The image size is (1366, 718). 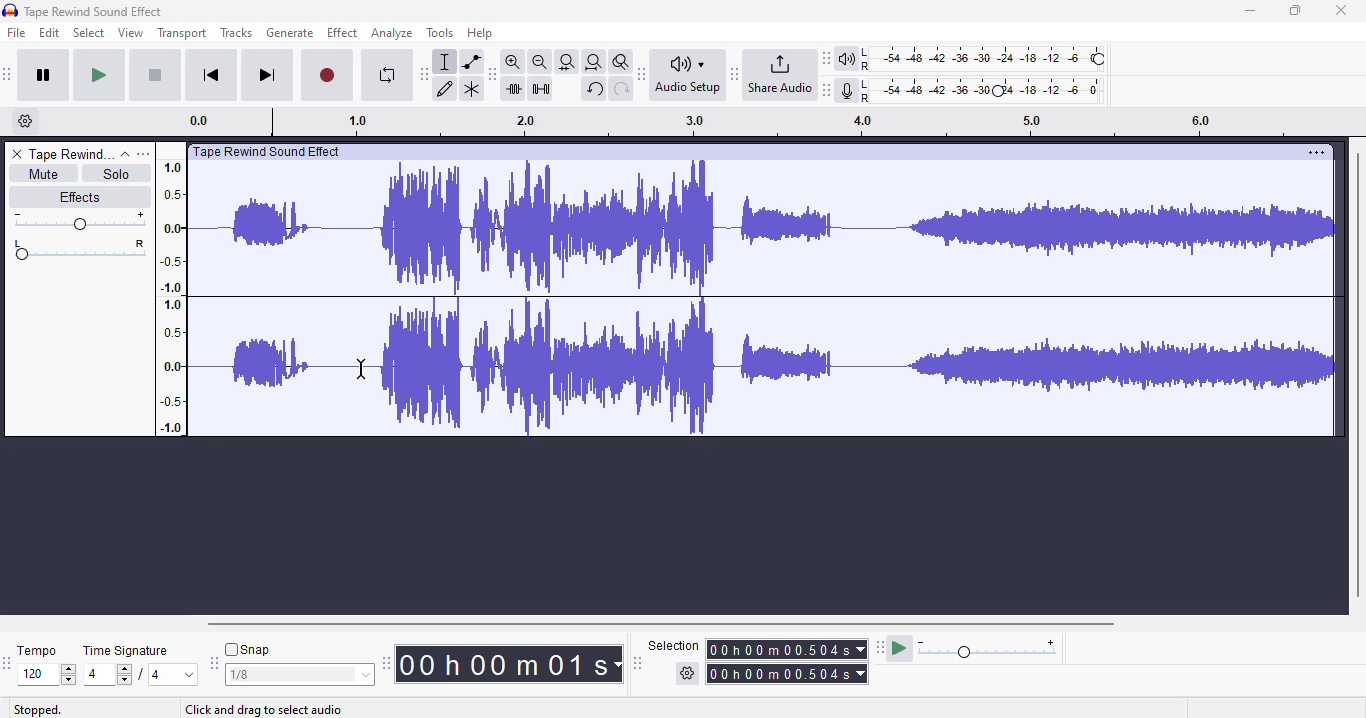 What do you see at coordinates (445, 90) in the screenshot?
I see `draw tool` at bounding box center [445, 90].